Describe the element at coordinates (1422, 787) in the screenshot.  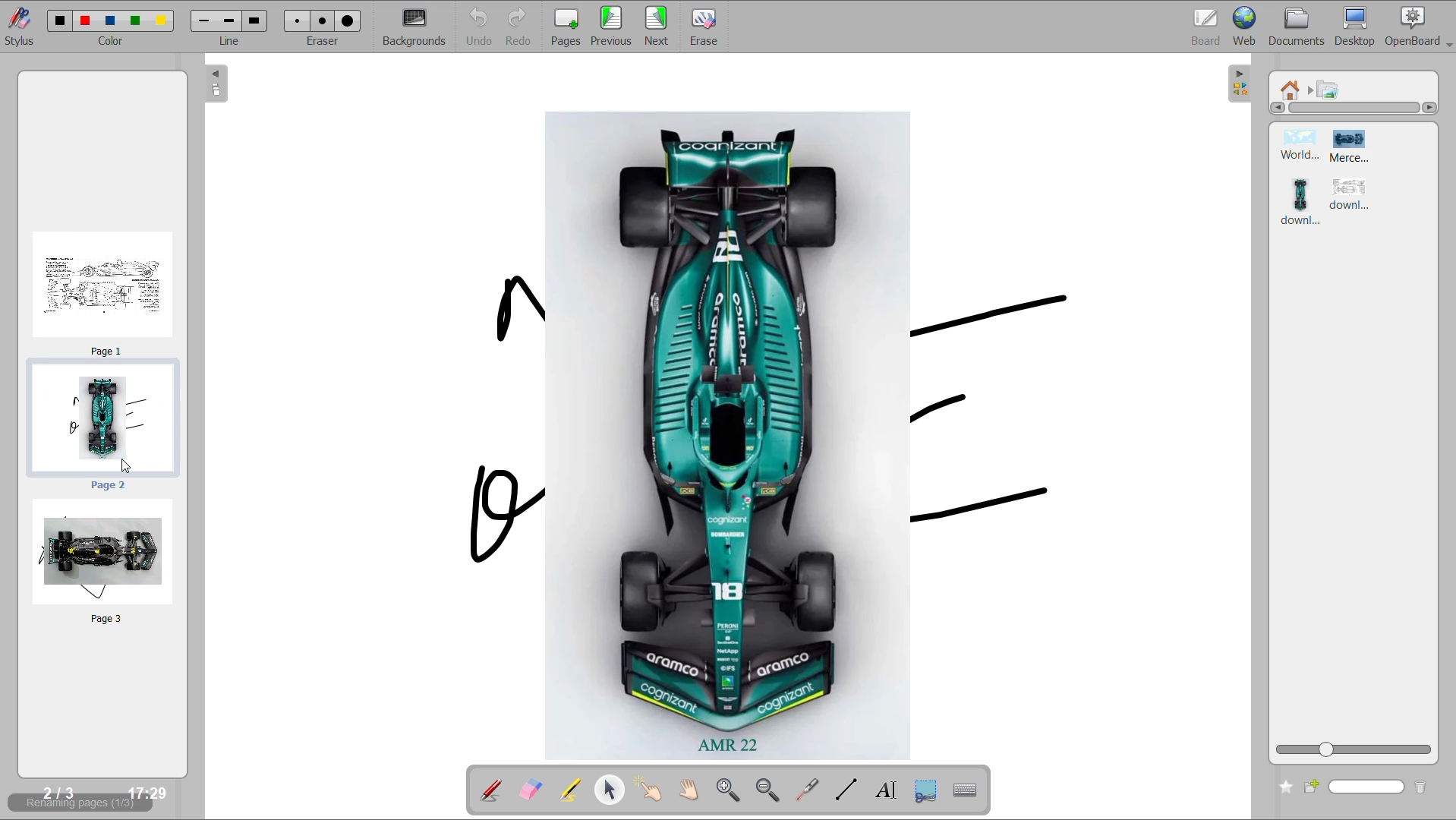
I see `delete` at that location.